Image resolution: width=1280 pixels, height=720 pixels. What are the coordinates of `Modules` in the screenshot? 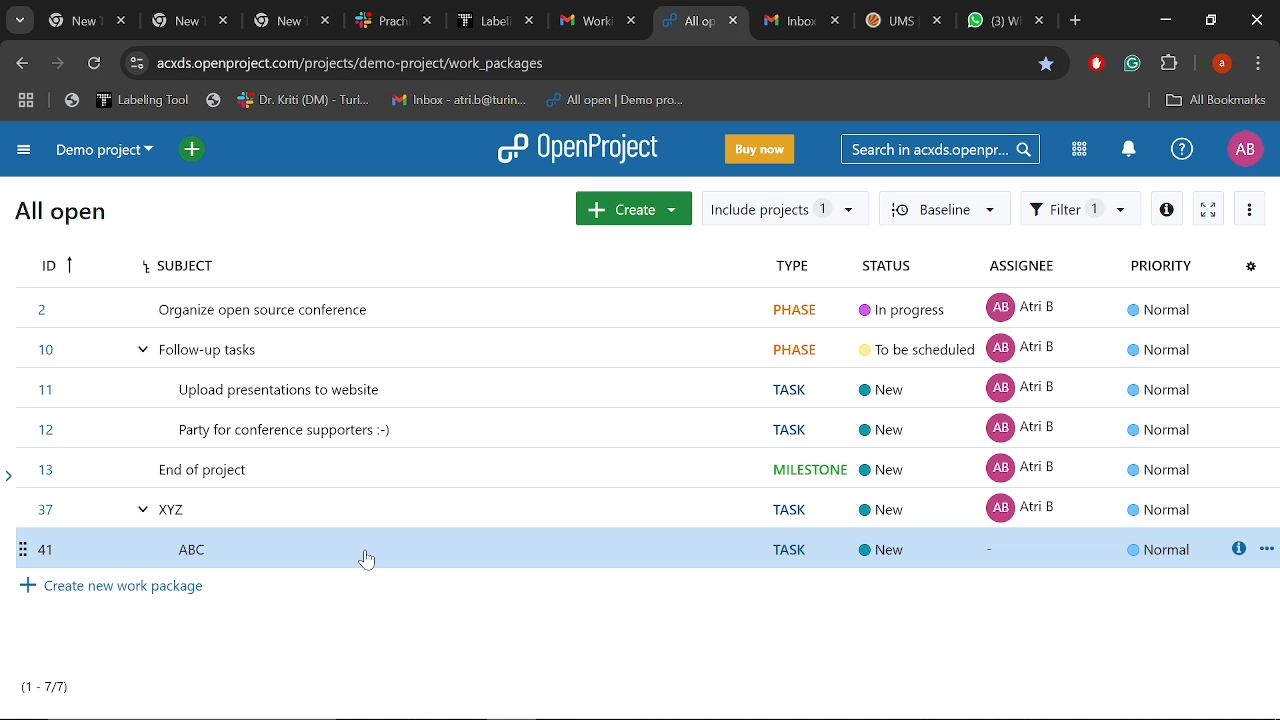 It's located at (1080, 151).